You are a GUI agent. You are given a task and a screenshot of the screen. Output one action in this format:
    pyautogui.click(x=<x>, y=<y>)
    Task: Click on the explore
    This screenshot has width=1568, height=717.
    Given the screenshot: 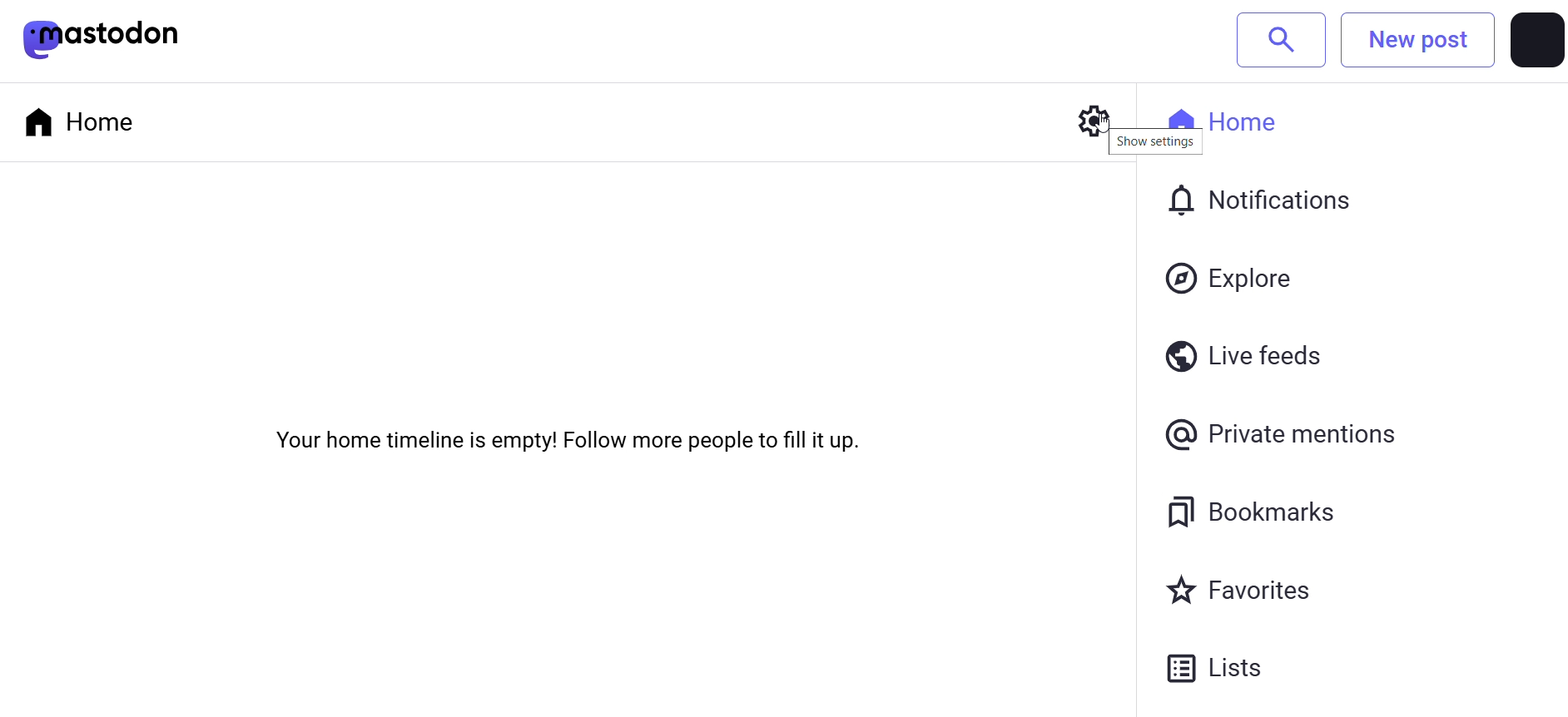 What is the action you would take?
    pyautogui.click(x=1237, y=278)
    